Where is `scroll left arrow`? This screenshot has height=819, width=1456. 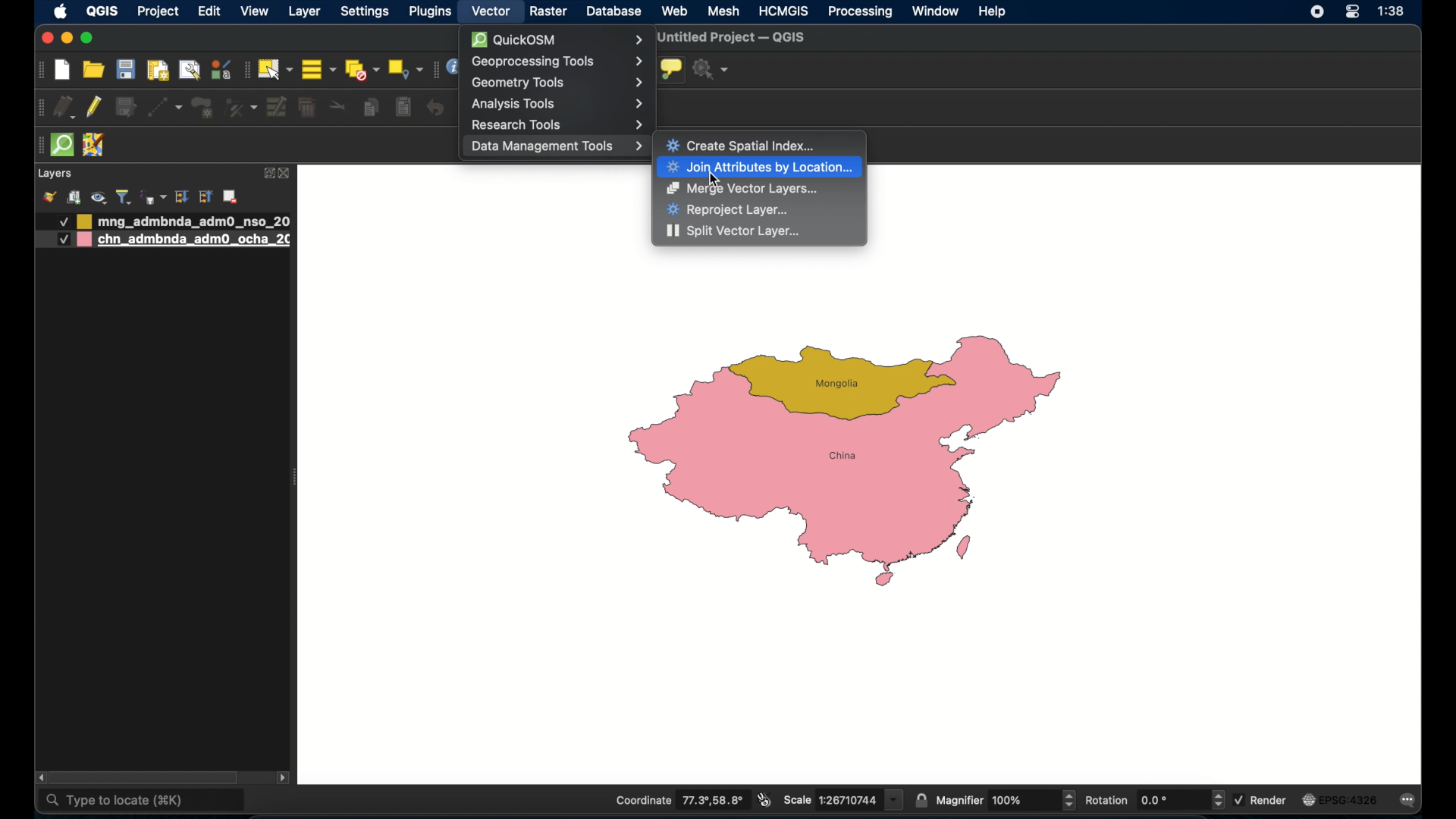 scroll left arrow is located at coordinates (40, 777).